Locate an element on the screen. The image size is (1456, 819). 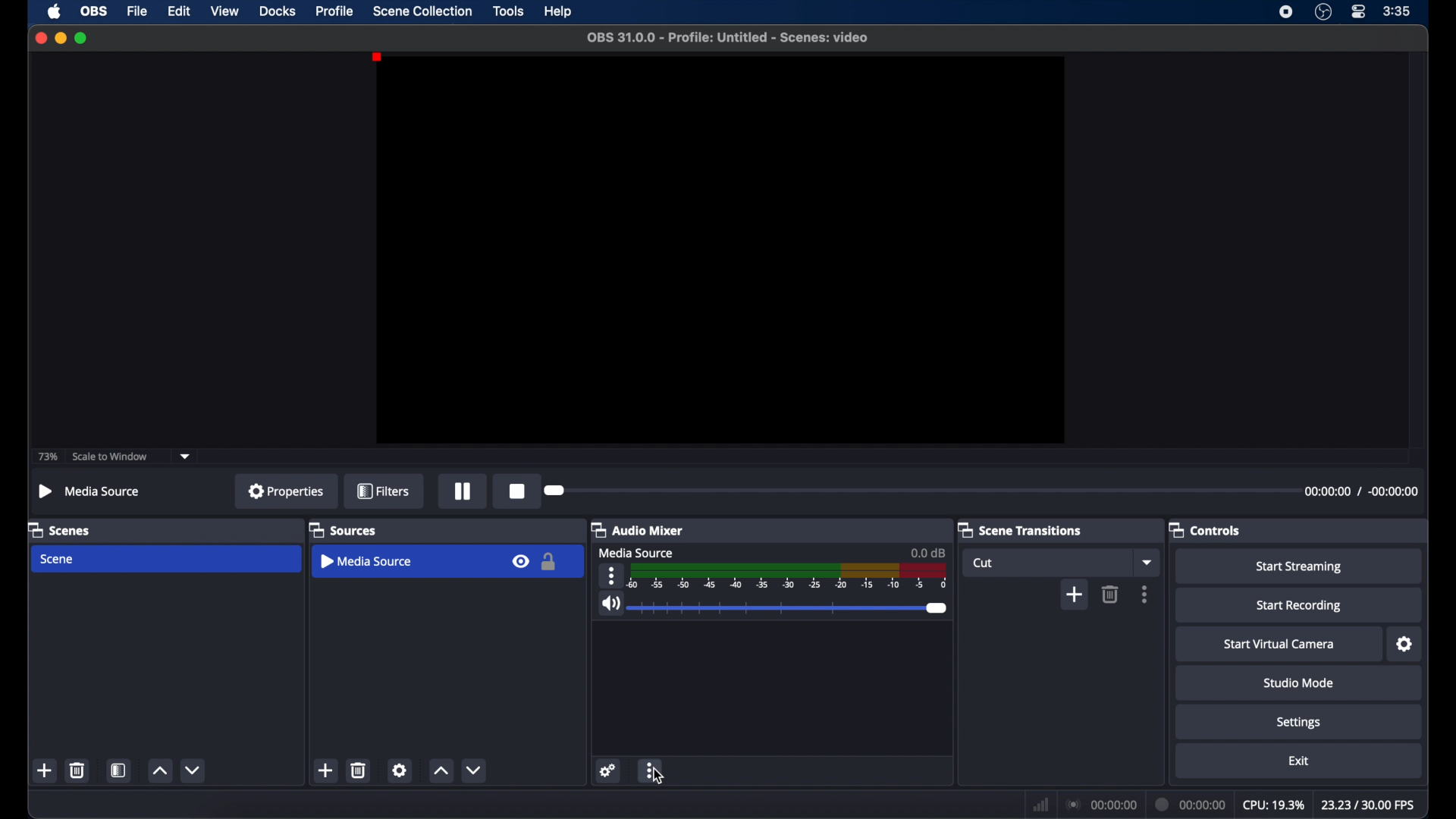
preview is located at coordinates (720, 250).